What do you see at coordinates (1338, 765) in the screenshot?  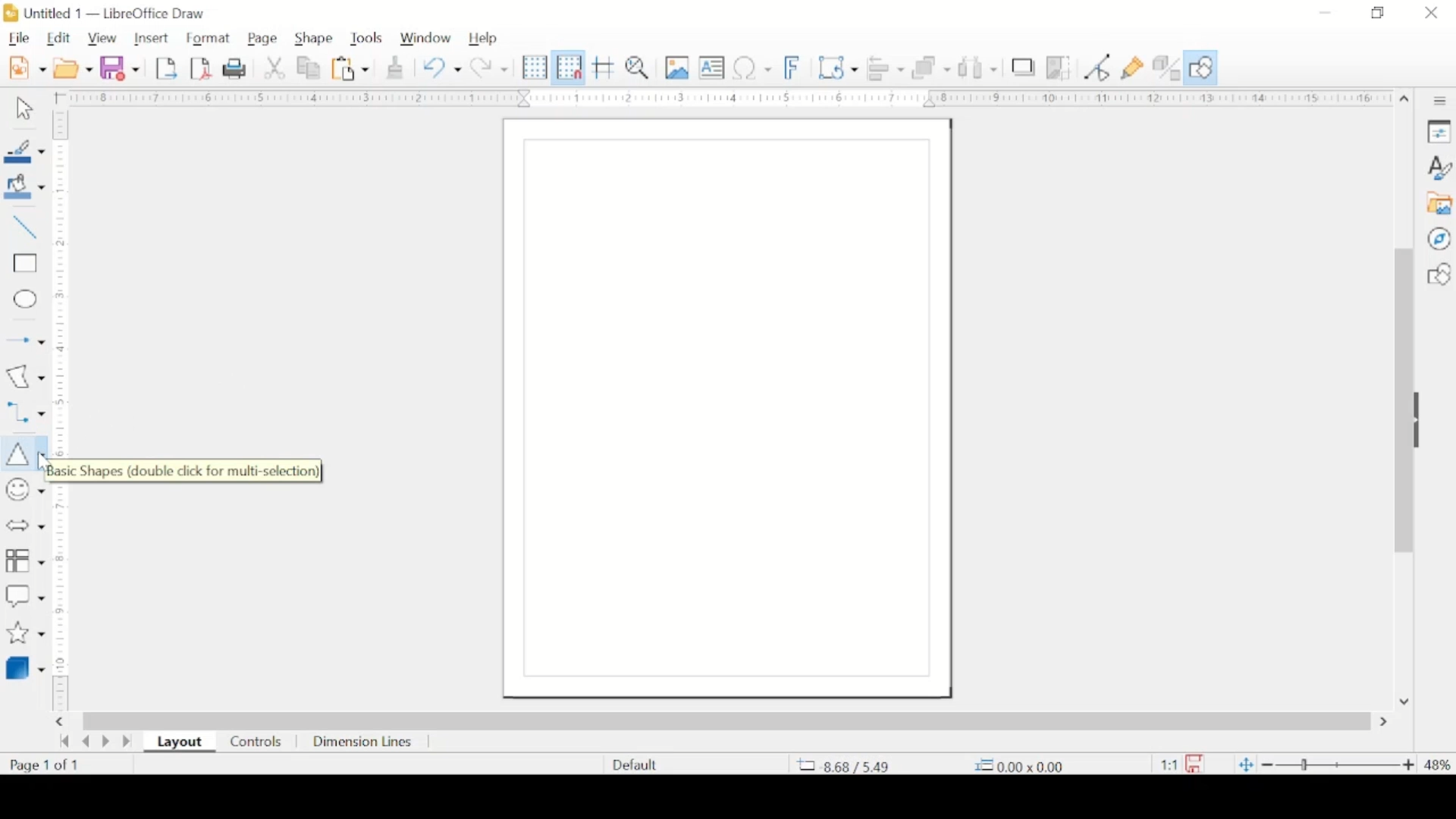 I see `zoom slider` at bounding box center [1338, 765].